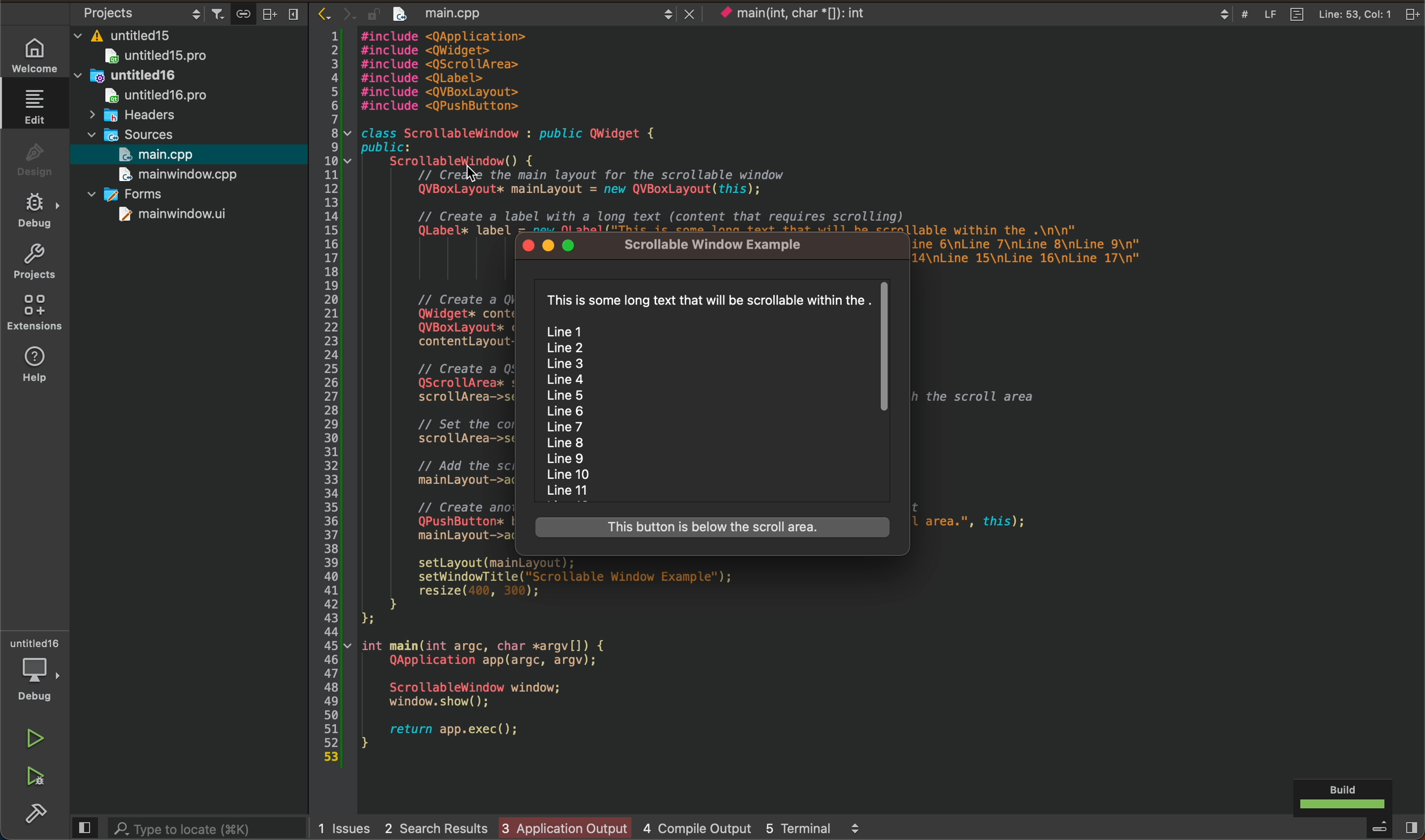 This screenshot has width=1425, height=840. I want to click on projects, so click(33, 263).